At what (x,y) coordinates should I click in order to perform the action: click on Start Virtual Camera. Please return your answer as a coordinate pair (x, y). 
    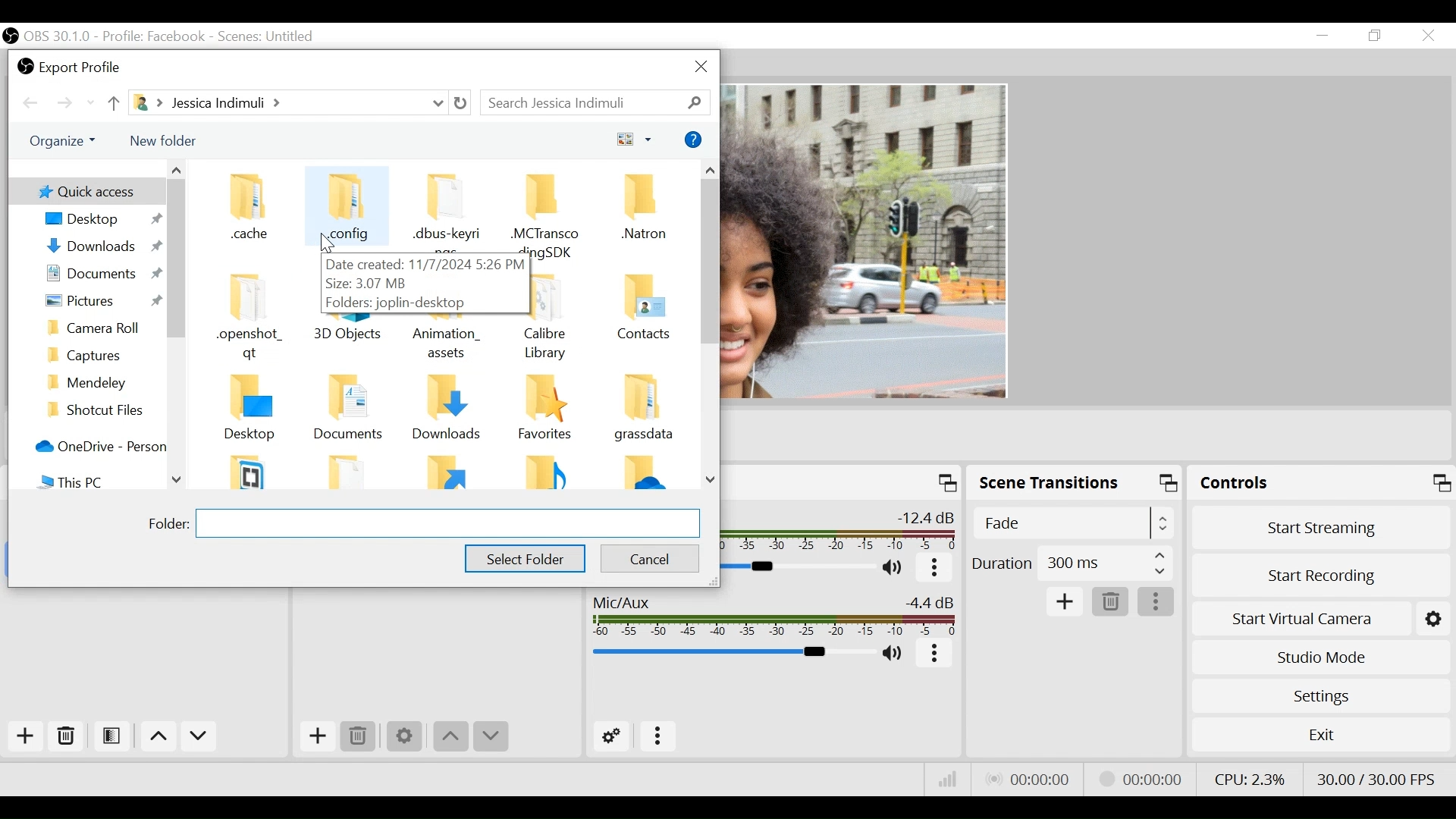
    Looking at the image, I should click on (1322, 620).